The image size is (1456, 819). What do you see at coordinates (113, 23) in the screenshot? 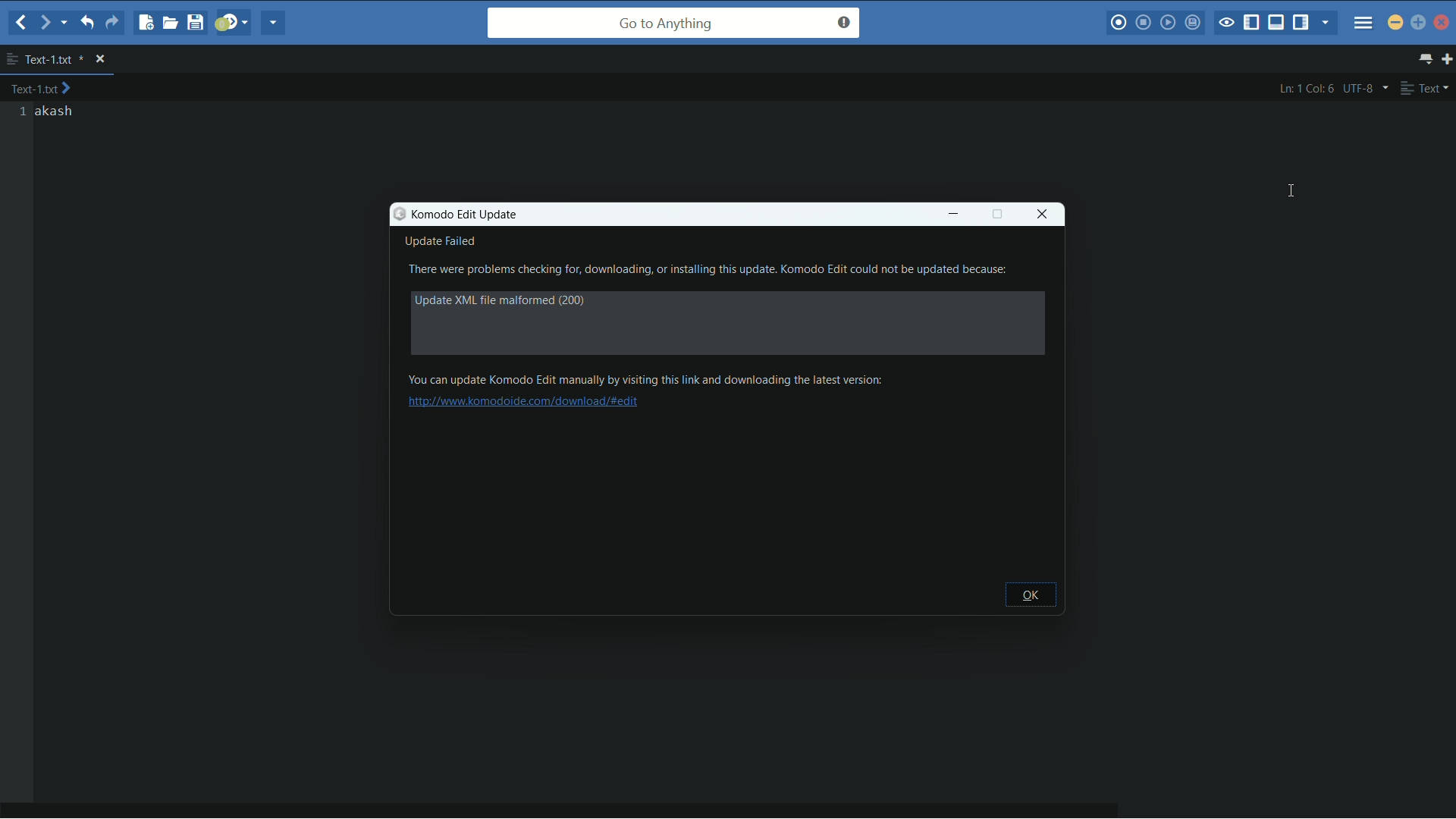
I see `` at bounding box center [113, 23].